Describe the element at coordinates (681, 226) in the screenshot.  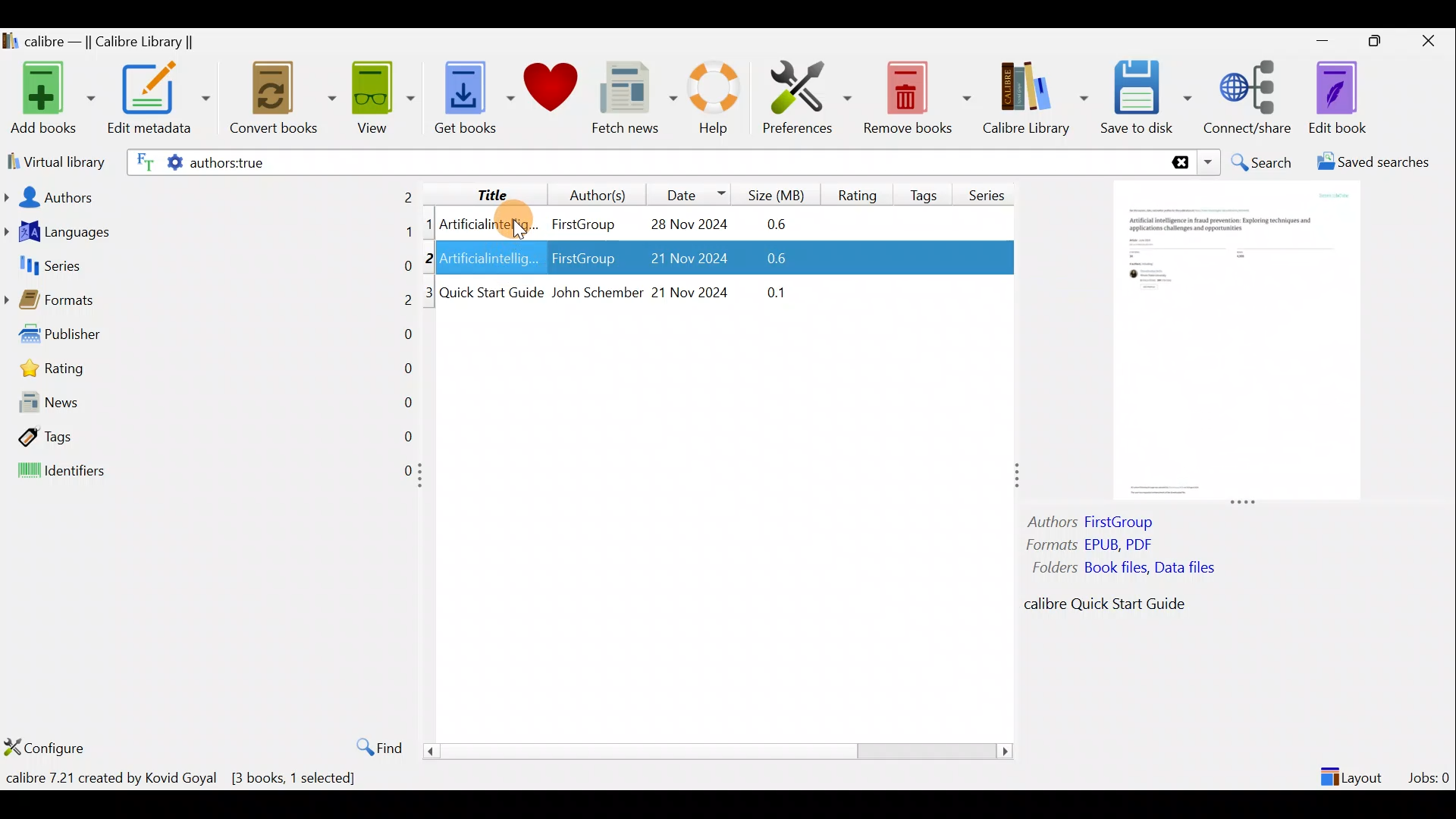
I see `28 Nov 2024` at that location.